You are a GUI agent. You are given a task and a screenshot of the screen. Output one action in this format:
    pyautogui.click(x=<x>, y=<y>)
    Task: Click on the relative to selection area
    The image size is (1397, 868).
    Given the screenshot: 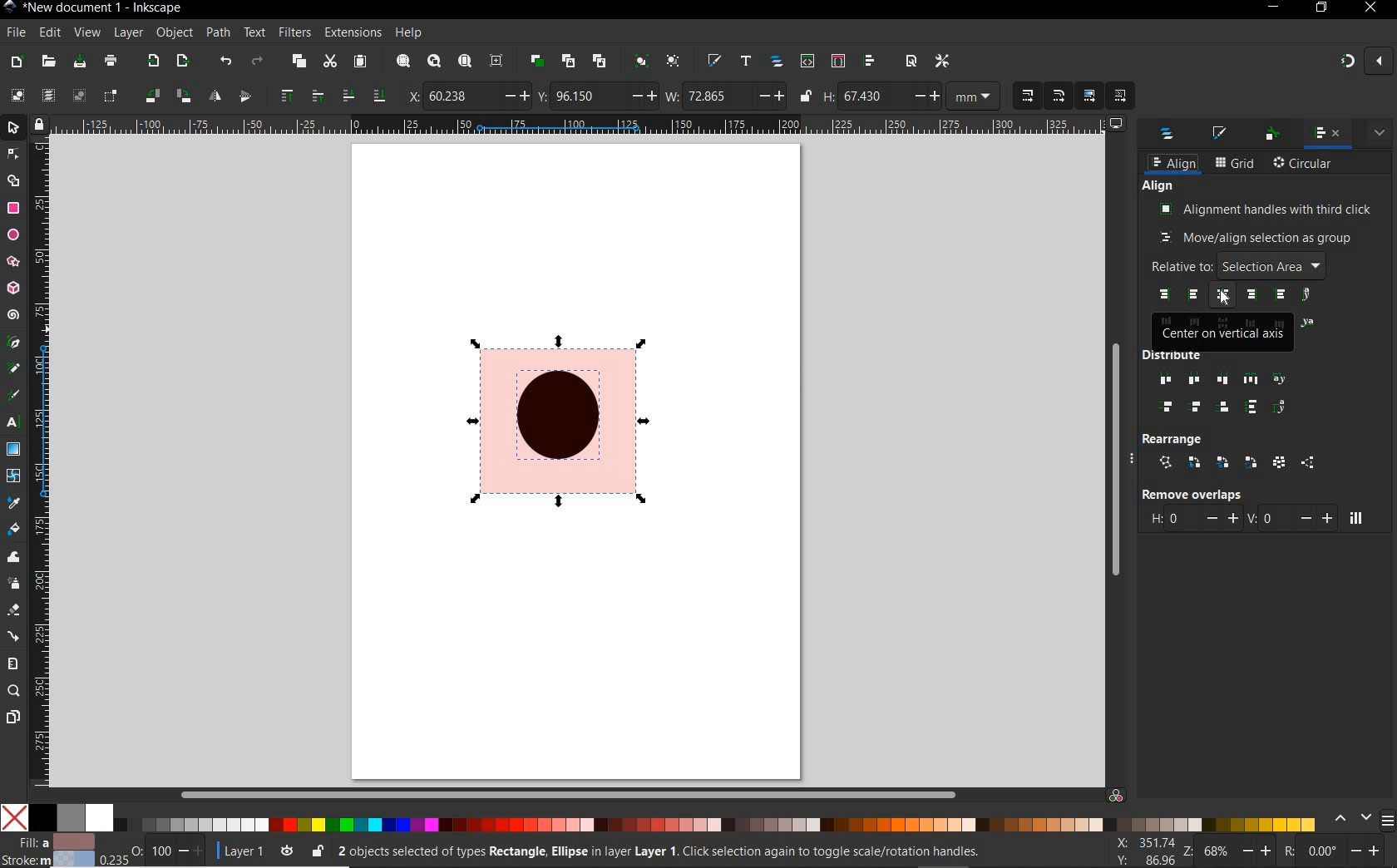 What is the action you would take?
    pyautogui.click(x=1237, y=265)
    